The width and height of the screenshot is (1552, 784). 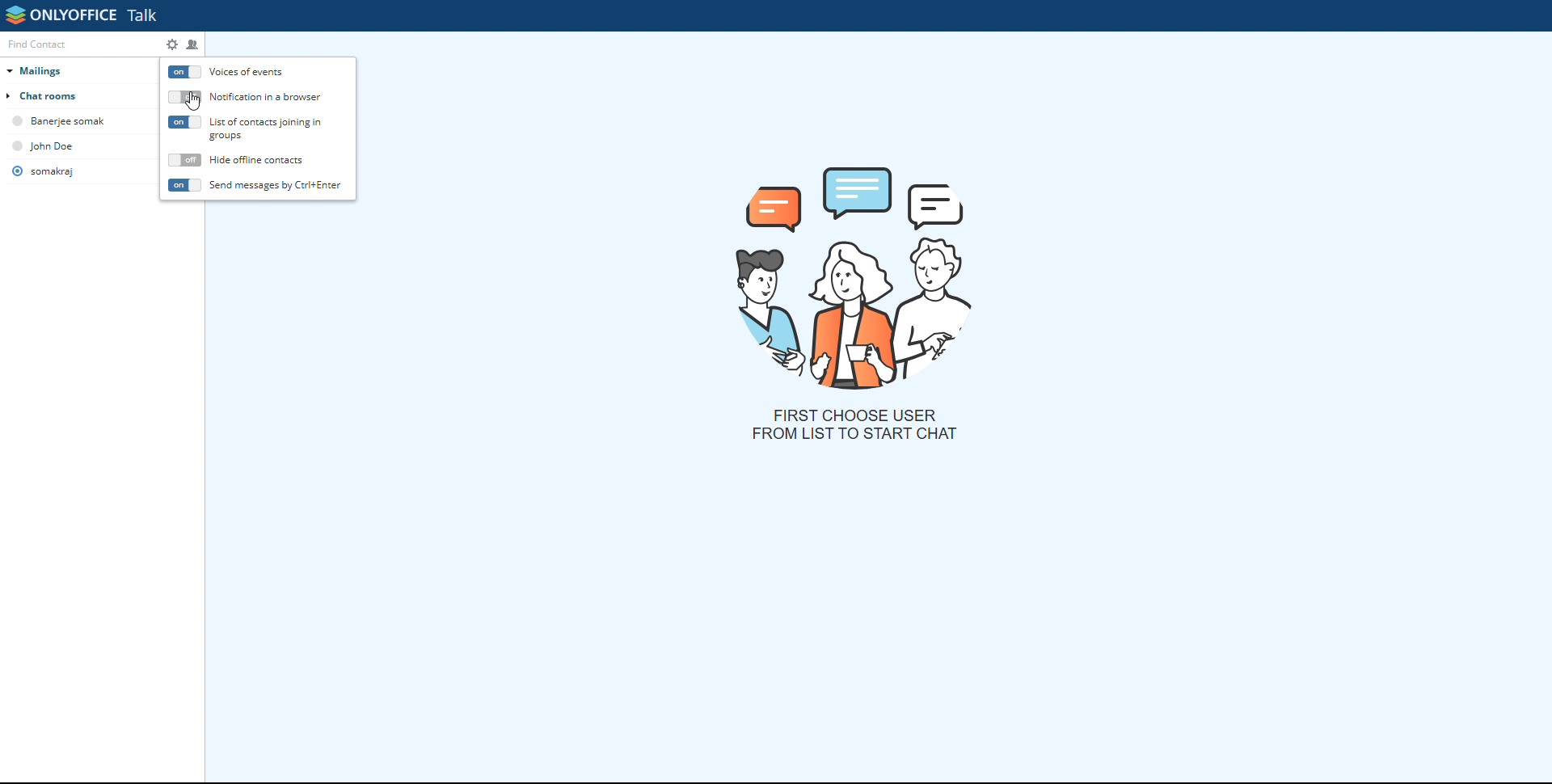 I want to click on notification in a browser, so click(x=267, y=98).